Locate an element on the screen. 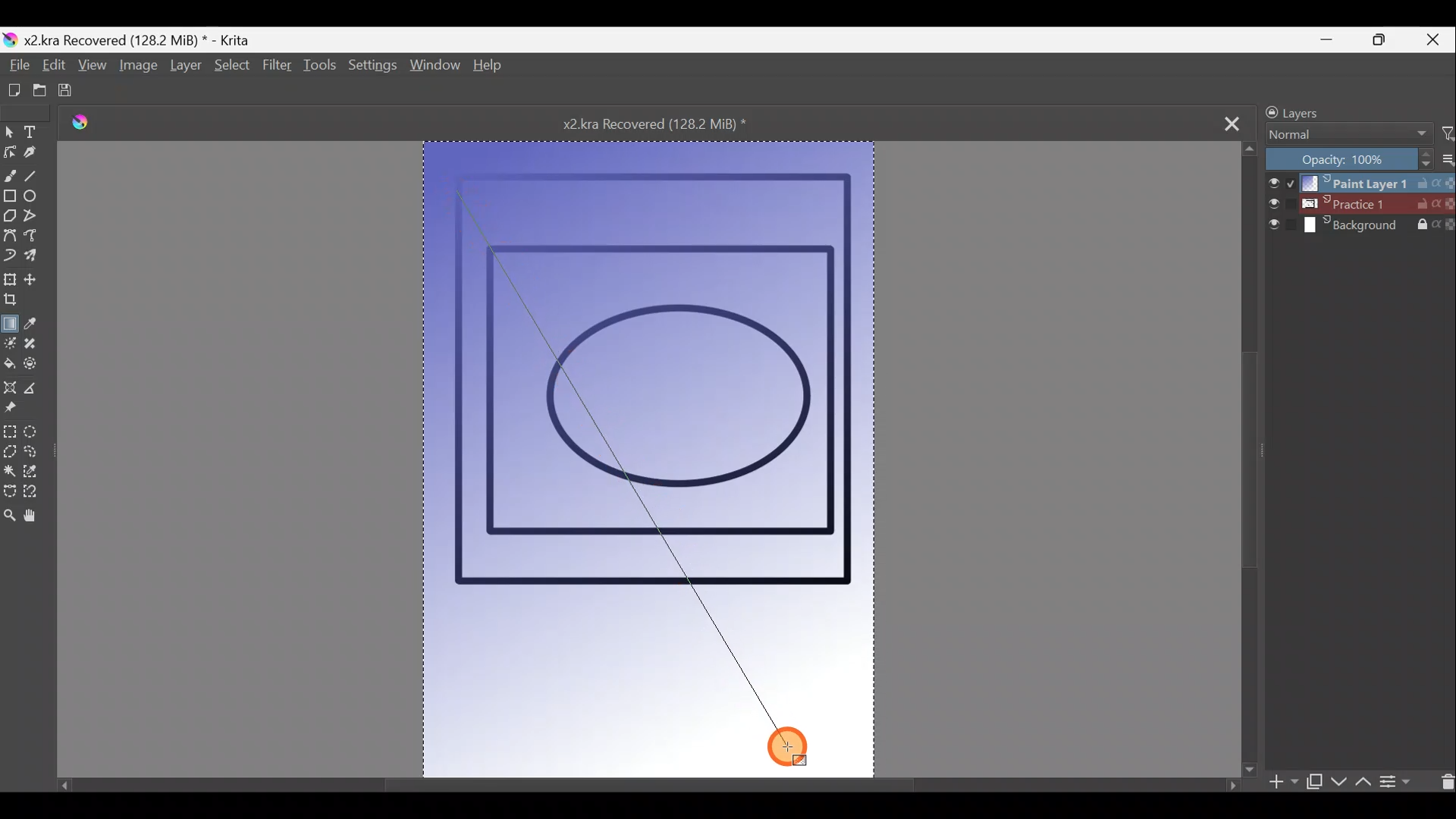  Elliptical selection tool is located at coordinates (35, 434).